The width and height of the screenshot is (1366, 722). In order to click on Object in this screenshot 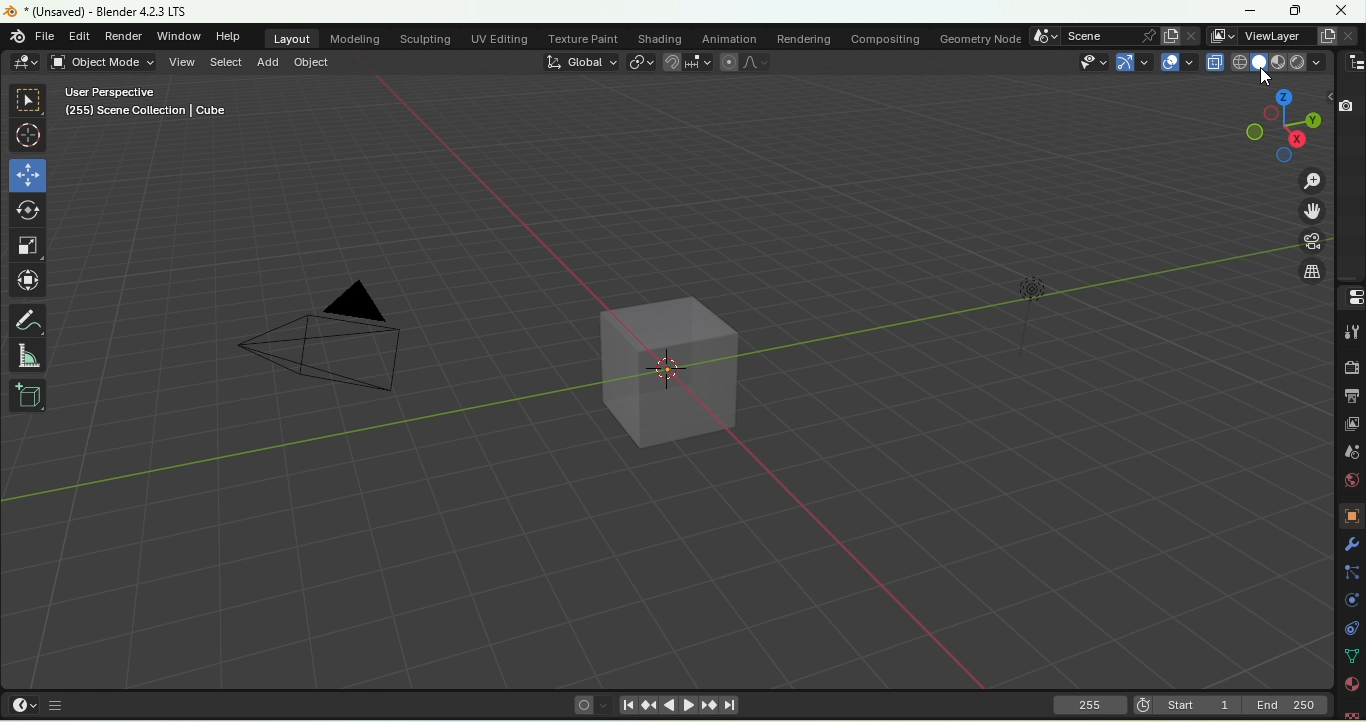, I will do `click(1347, 515)`.